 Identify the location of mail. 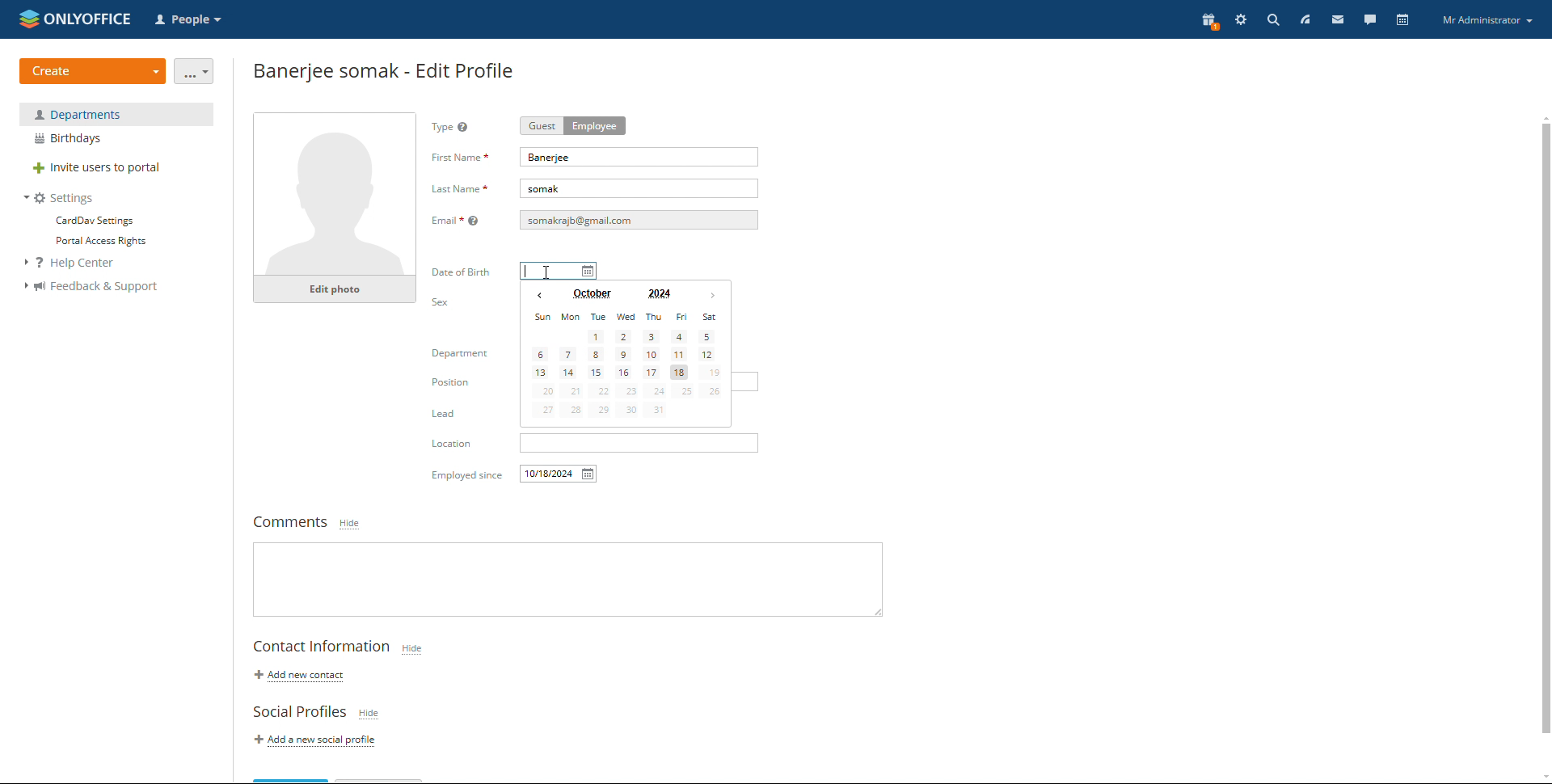
(1336, 19).